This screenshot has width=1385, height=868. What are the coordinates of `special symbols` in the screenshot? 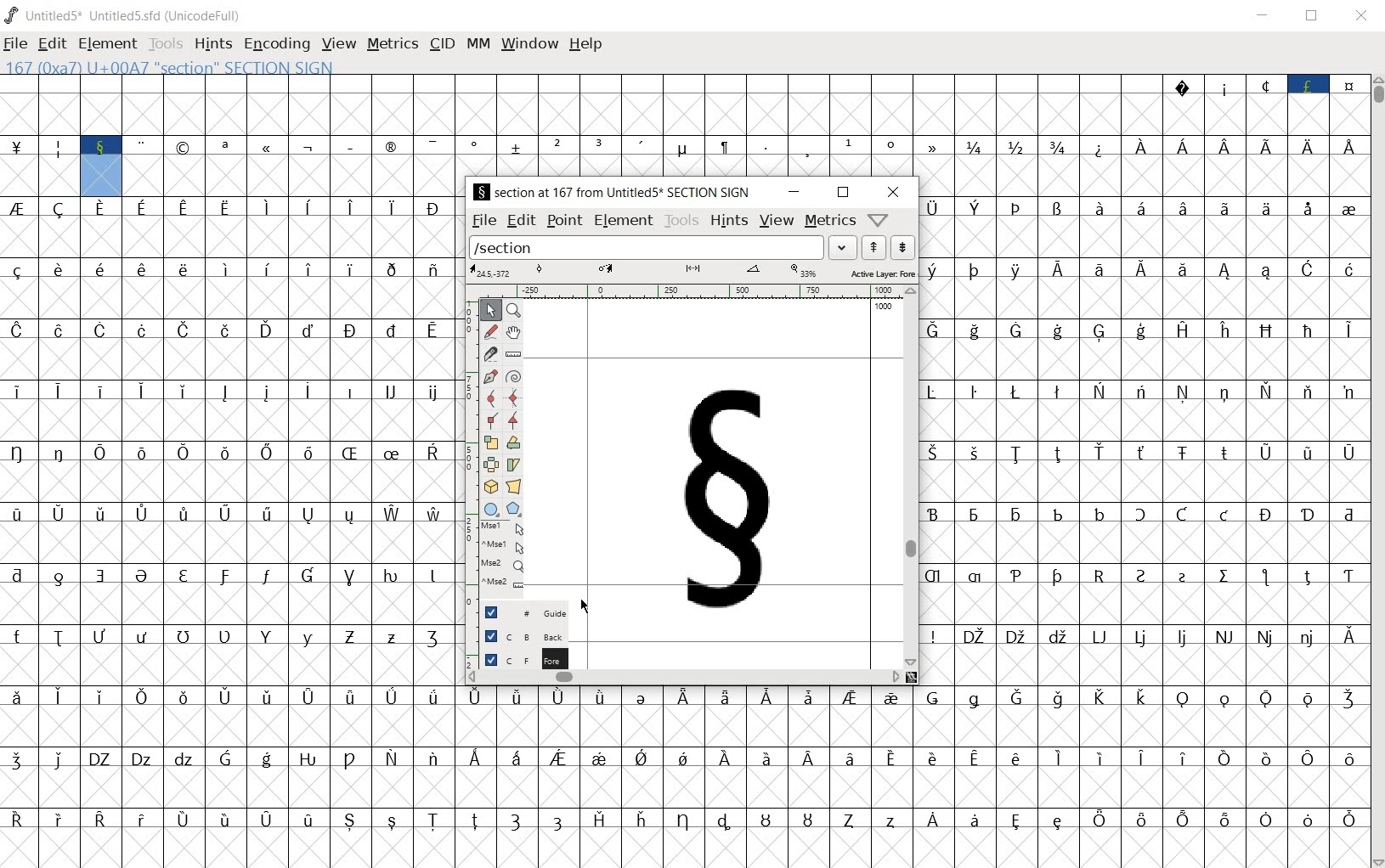 It's located at (1263, 82).